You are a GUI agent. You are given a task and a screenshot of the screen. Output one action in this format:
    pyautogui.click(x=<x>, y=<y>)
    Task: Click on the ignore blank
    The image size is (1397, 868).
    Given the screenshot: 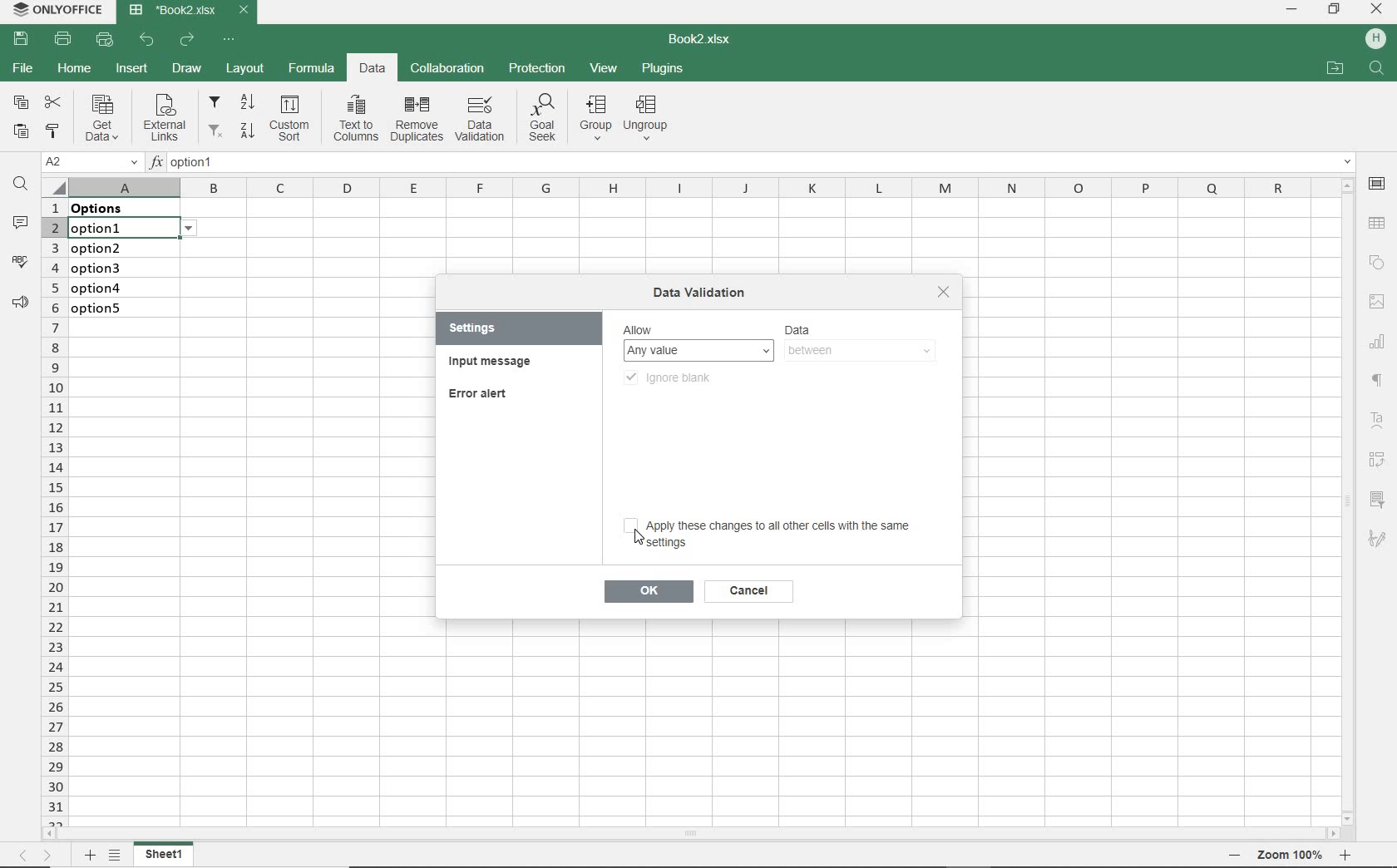 What is the action you would take?
    pyautogui.click(x=674, y=376)
    